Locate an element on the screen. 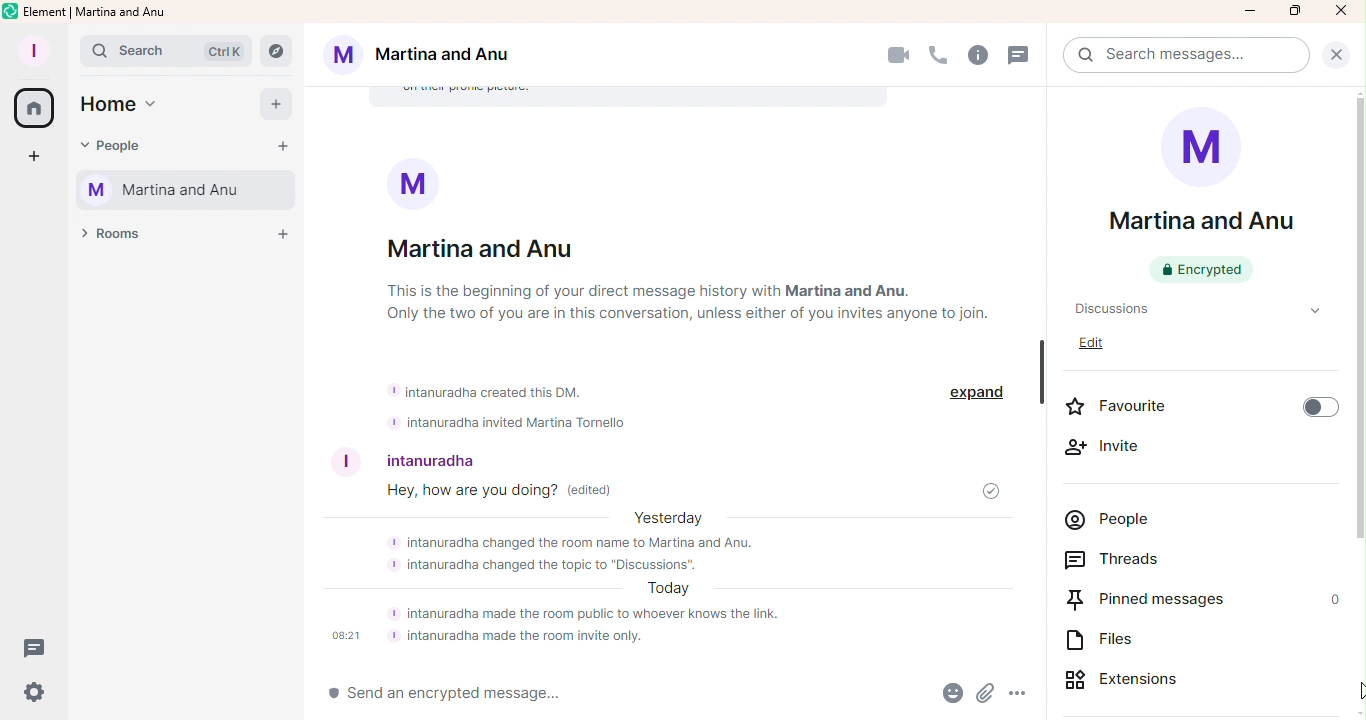  Create a space is located at coordinates (29, 157).